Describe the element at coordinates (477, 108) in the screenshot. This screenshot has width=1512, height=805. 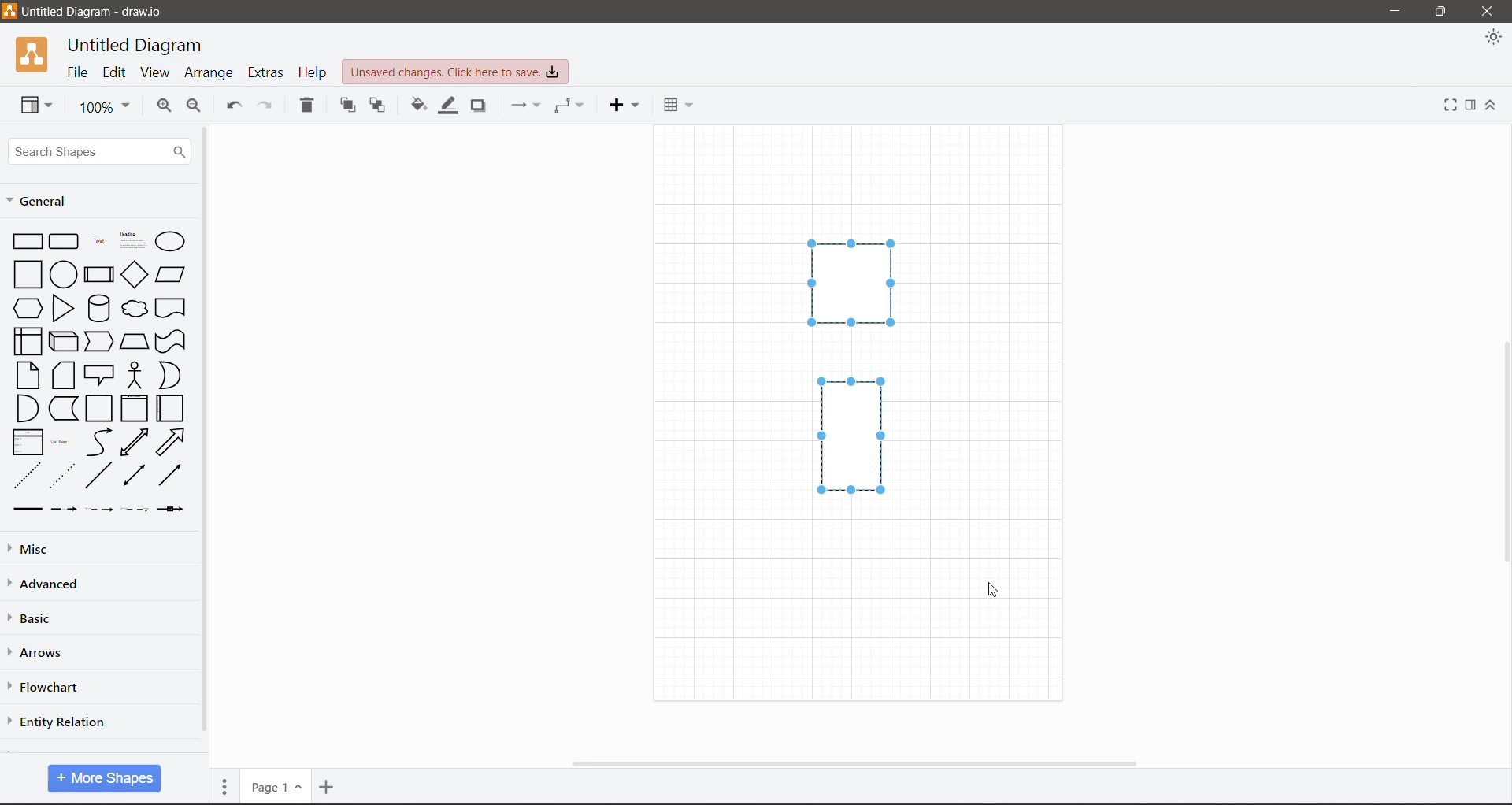
I see `Shadow` at that location.